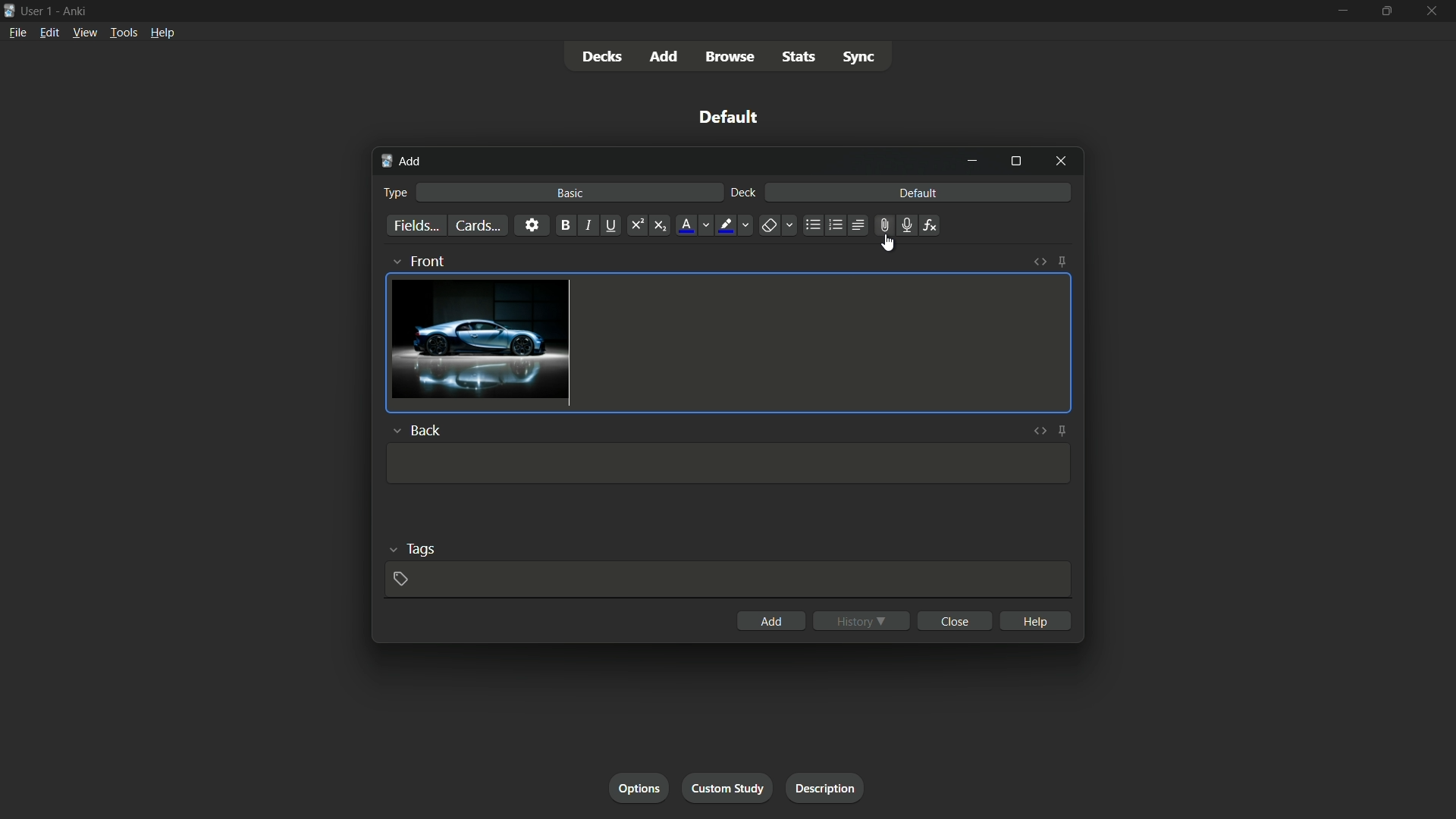  I want to click on edit menu, so click(52, 32).